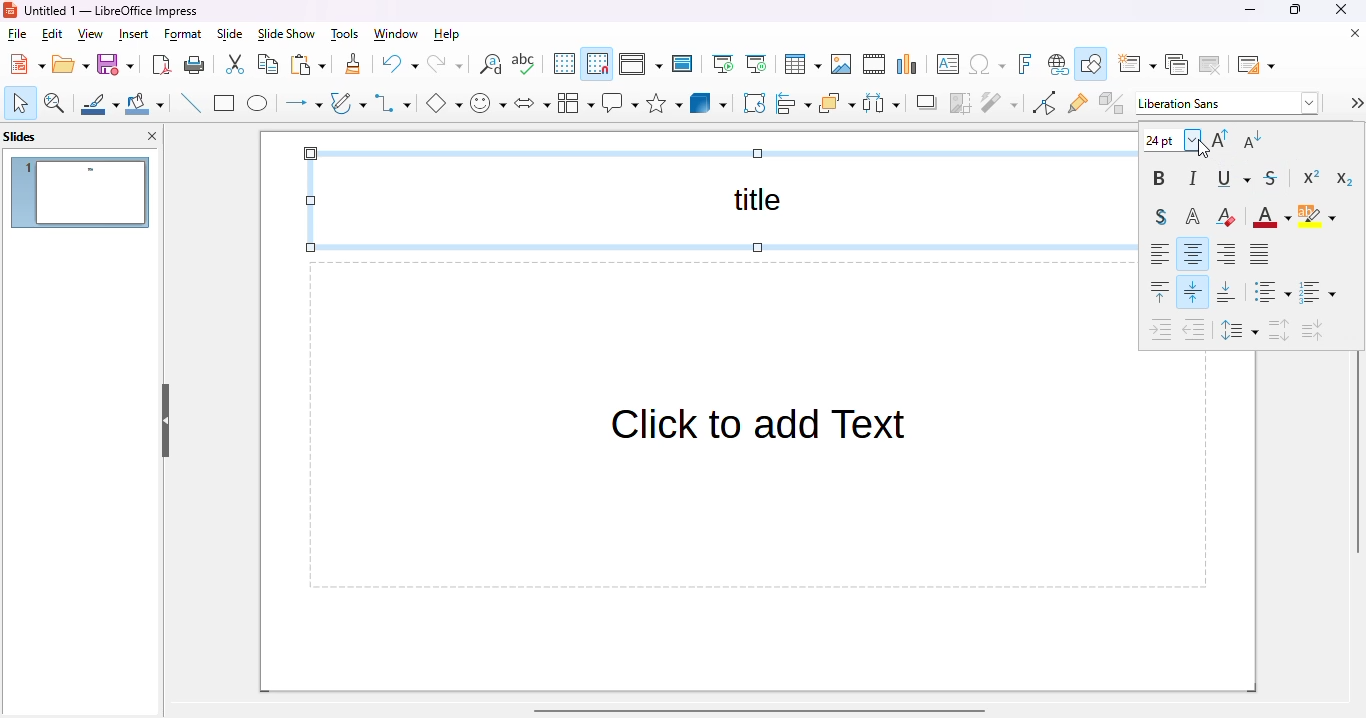  I want to click on slide show, so click(287, 34).